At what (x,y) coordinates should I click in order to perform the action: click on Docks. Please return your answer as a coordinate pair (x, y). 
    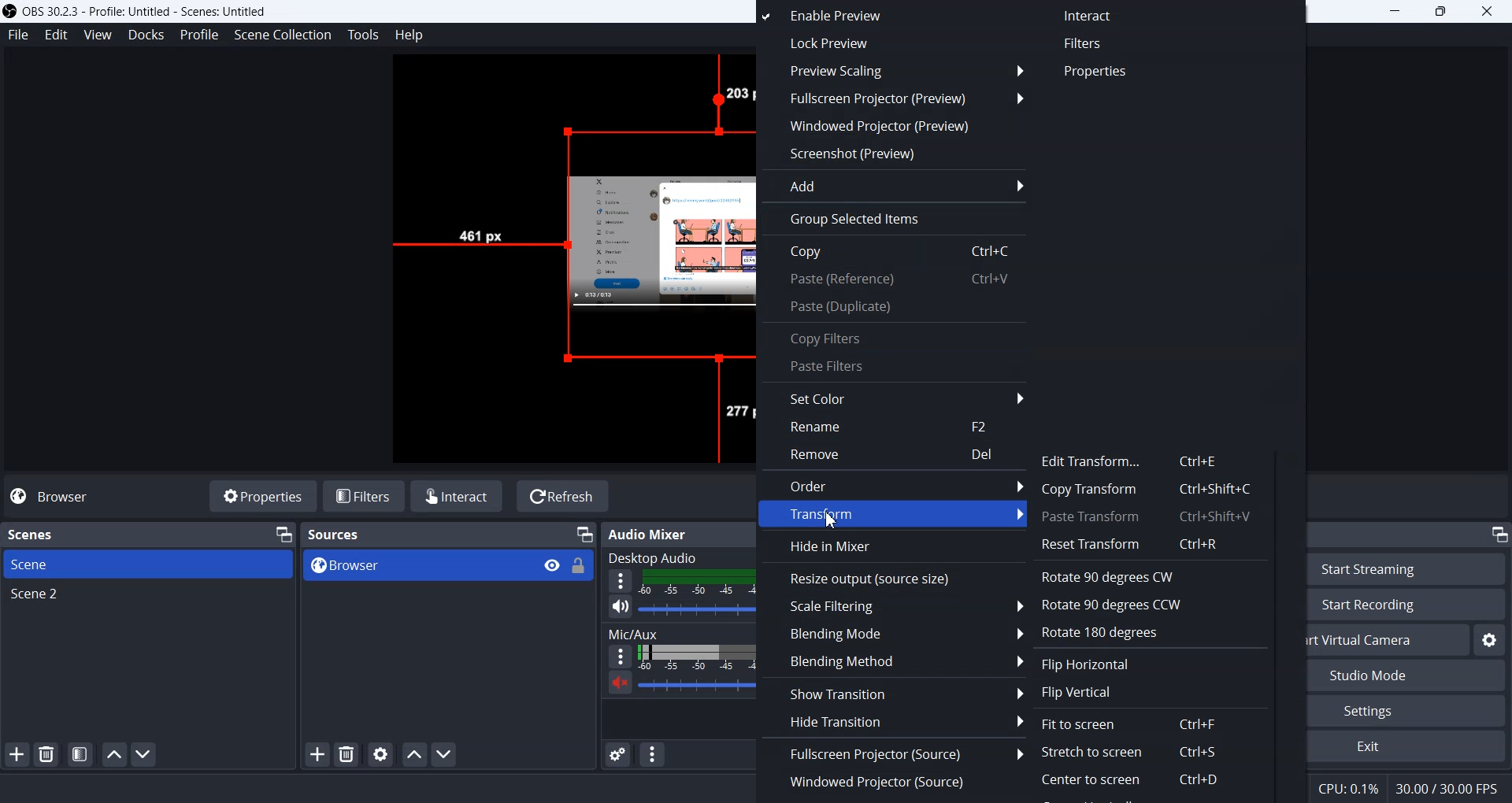
    Looking at the image, I should click on (144, 34).